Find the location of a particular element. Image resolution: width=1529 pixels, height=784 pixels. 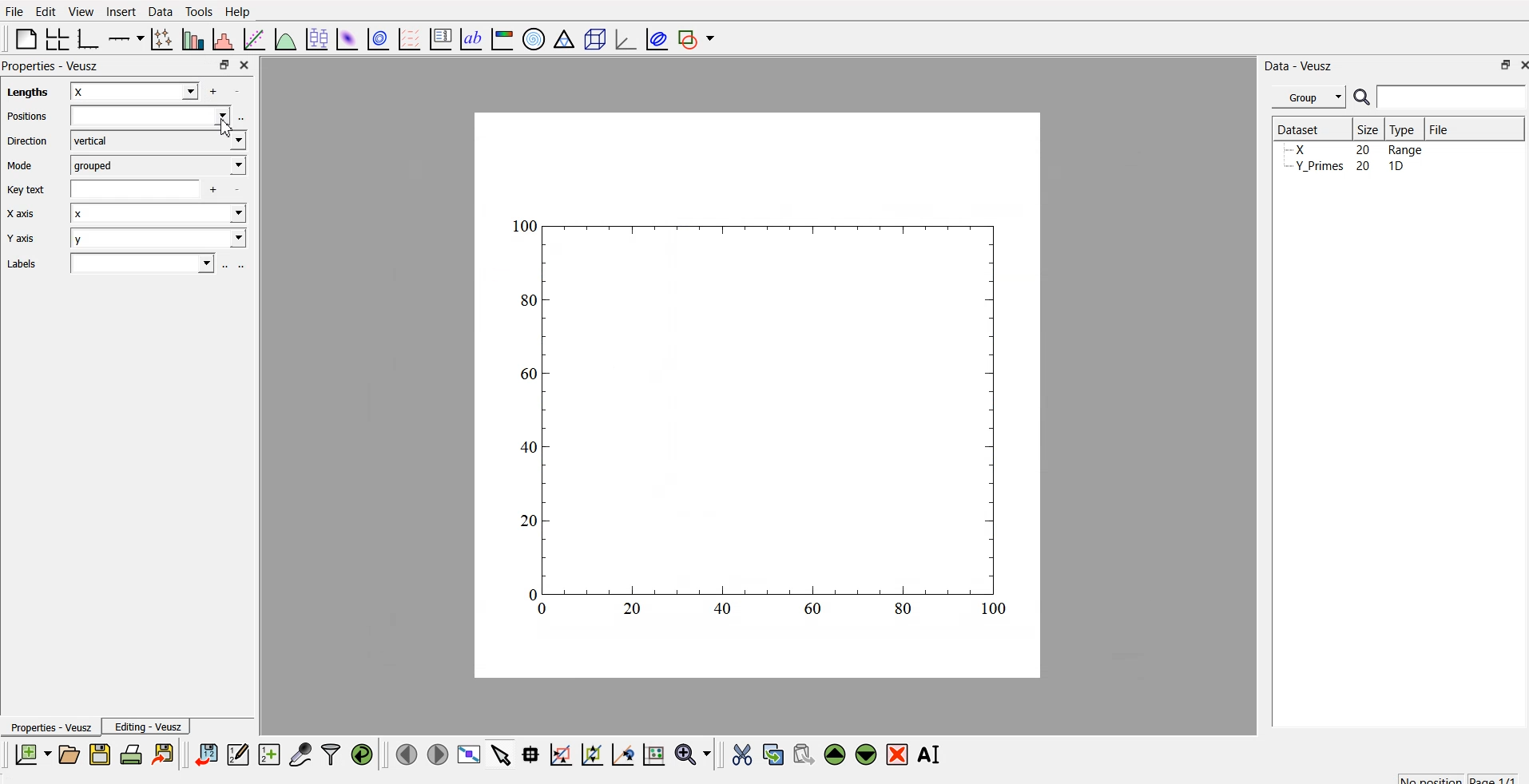

Tools is located at coordinates (198, 10).